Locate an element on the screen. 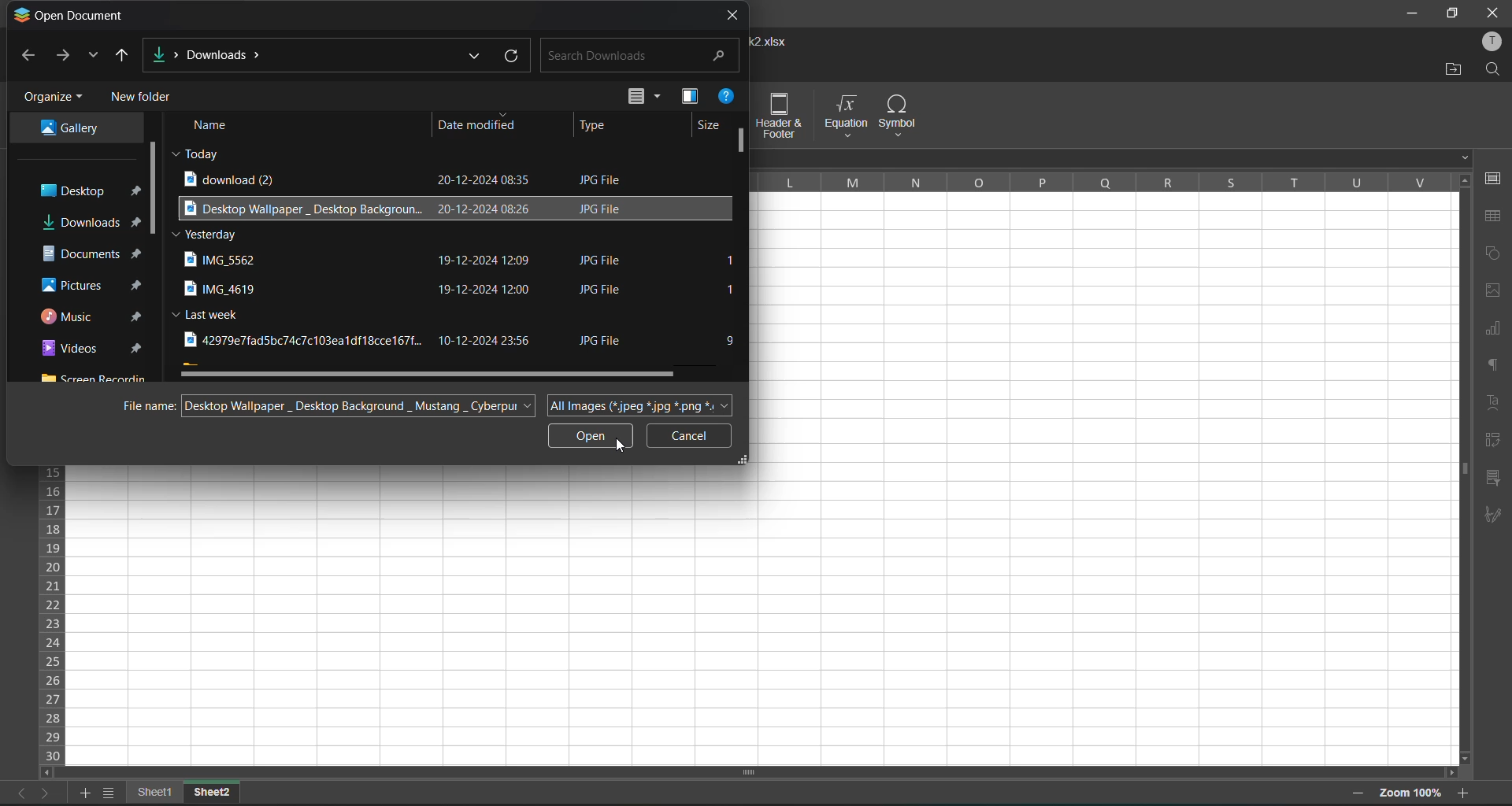  IMG_4619 19-12-2024 12:00 JPG File is located at coordinates (421, 290).